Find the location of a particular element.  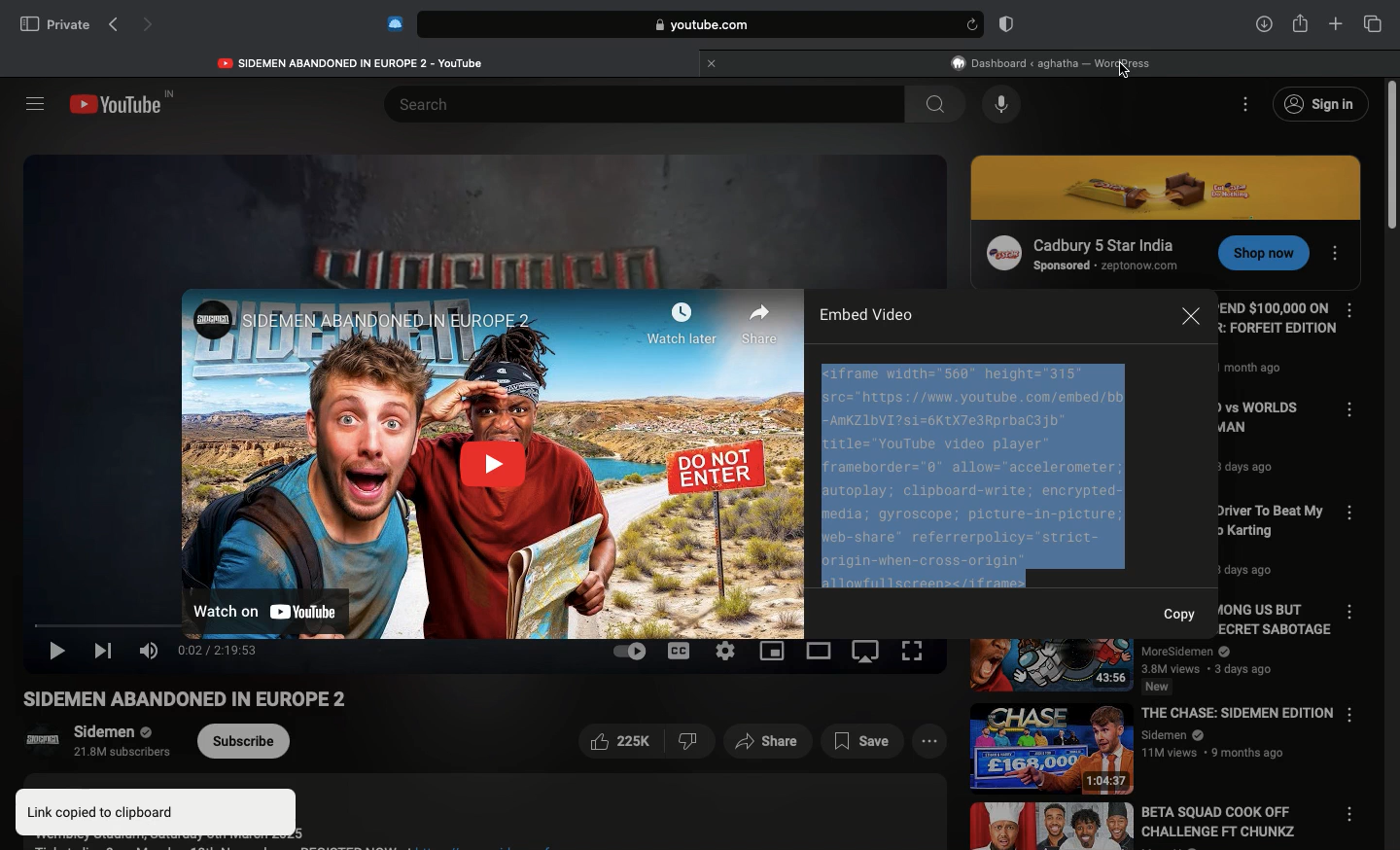

Share is located at coordinates (769, 742).